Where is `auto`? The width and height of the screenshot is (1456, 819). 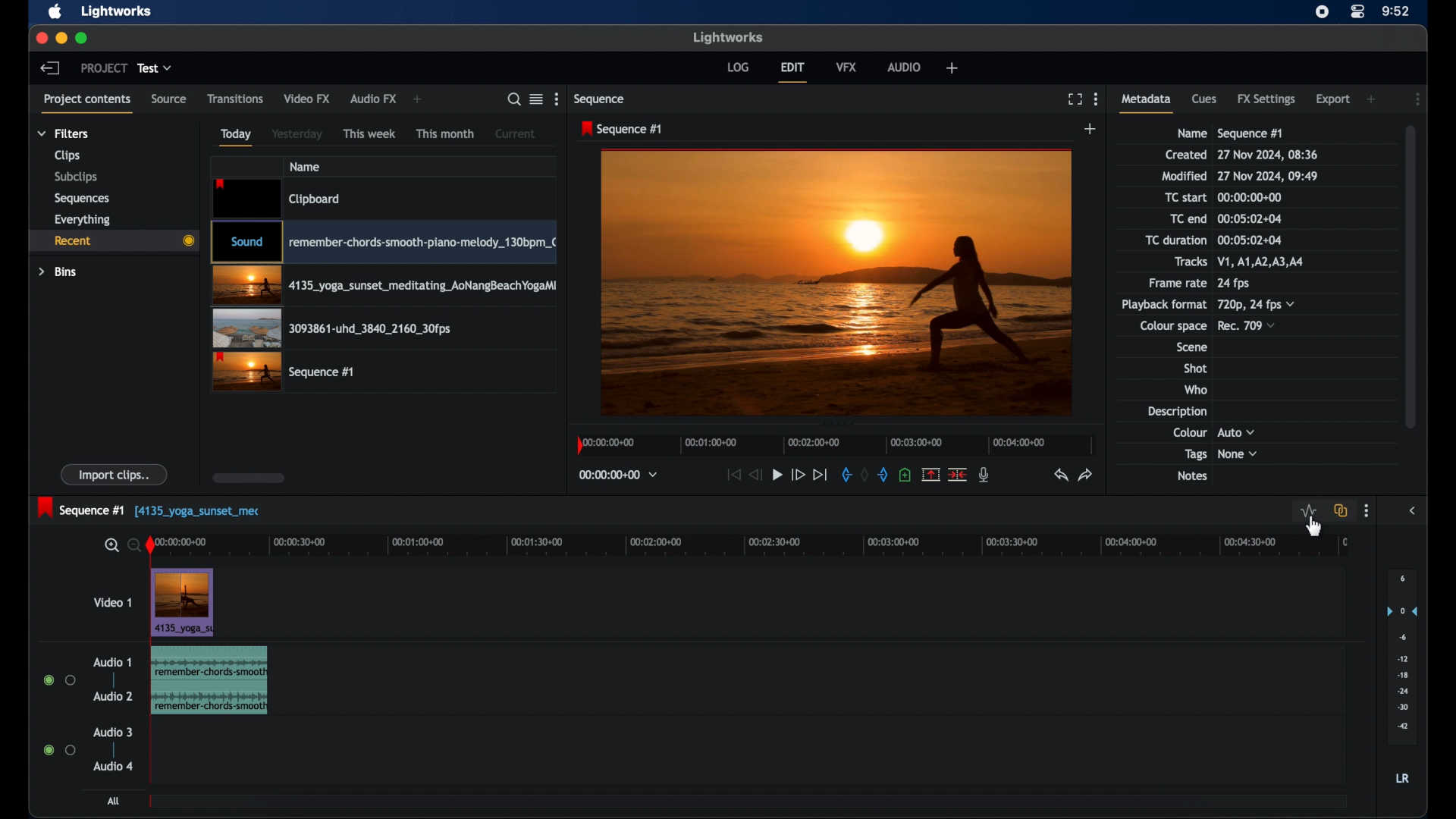 auto is located at coordinates (1237, 431).